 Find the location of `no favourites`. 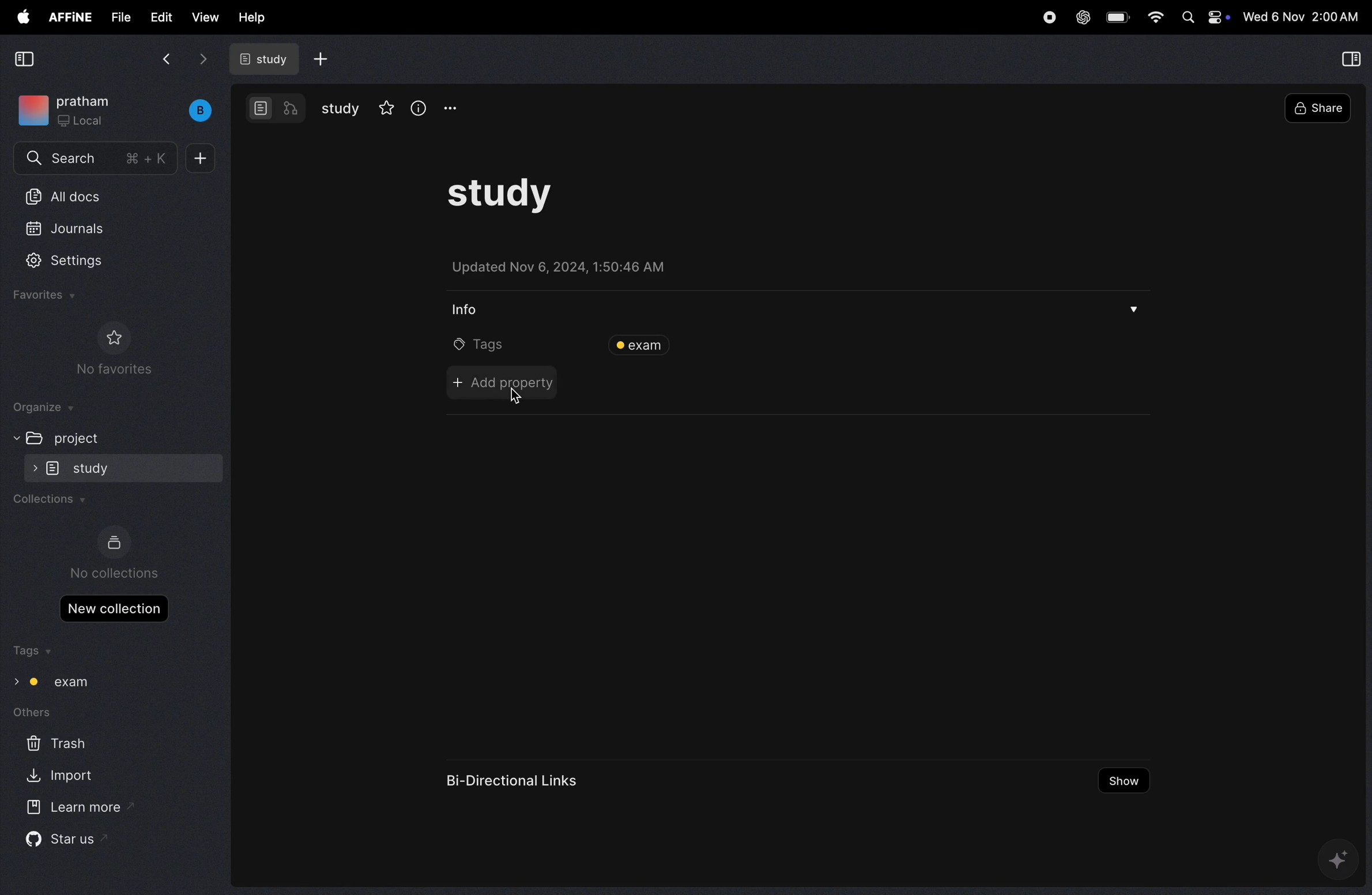

no favourites is located at coordinates (120, 348).